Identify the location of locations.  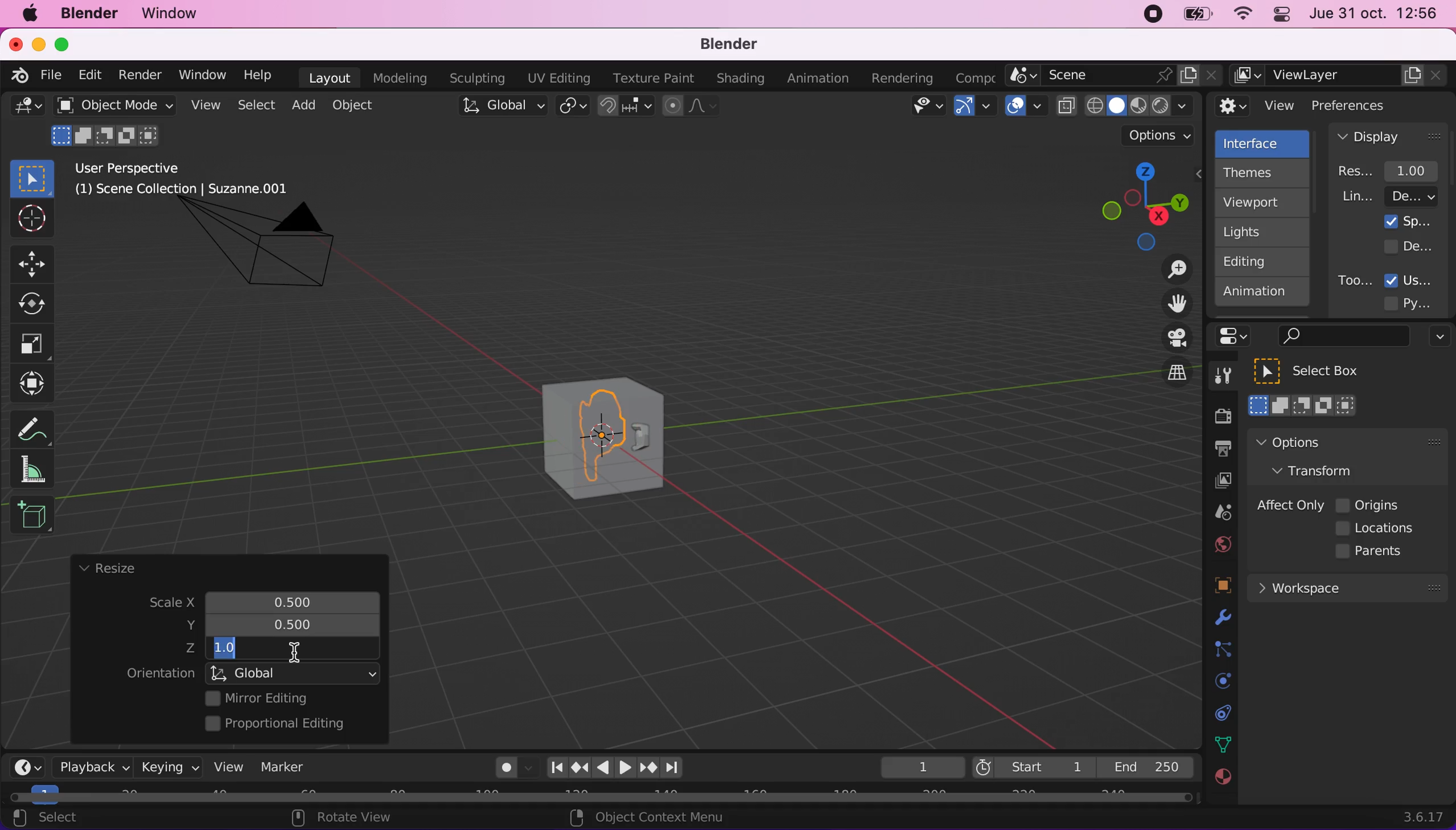
(1378, 528).